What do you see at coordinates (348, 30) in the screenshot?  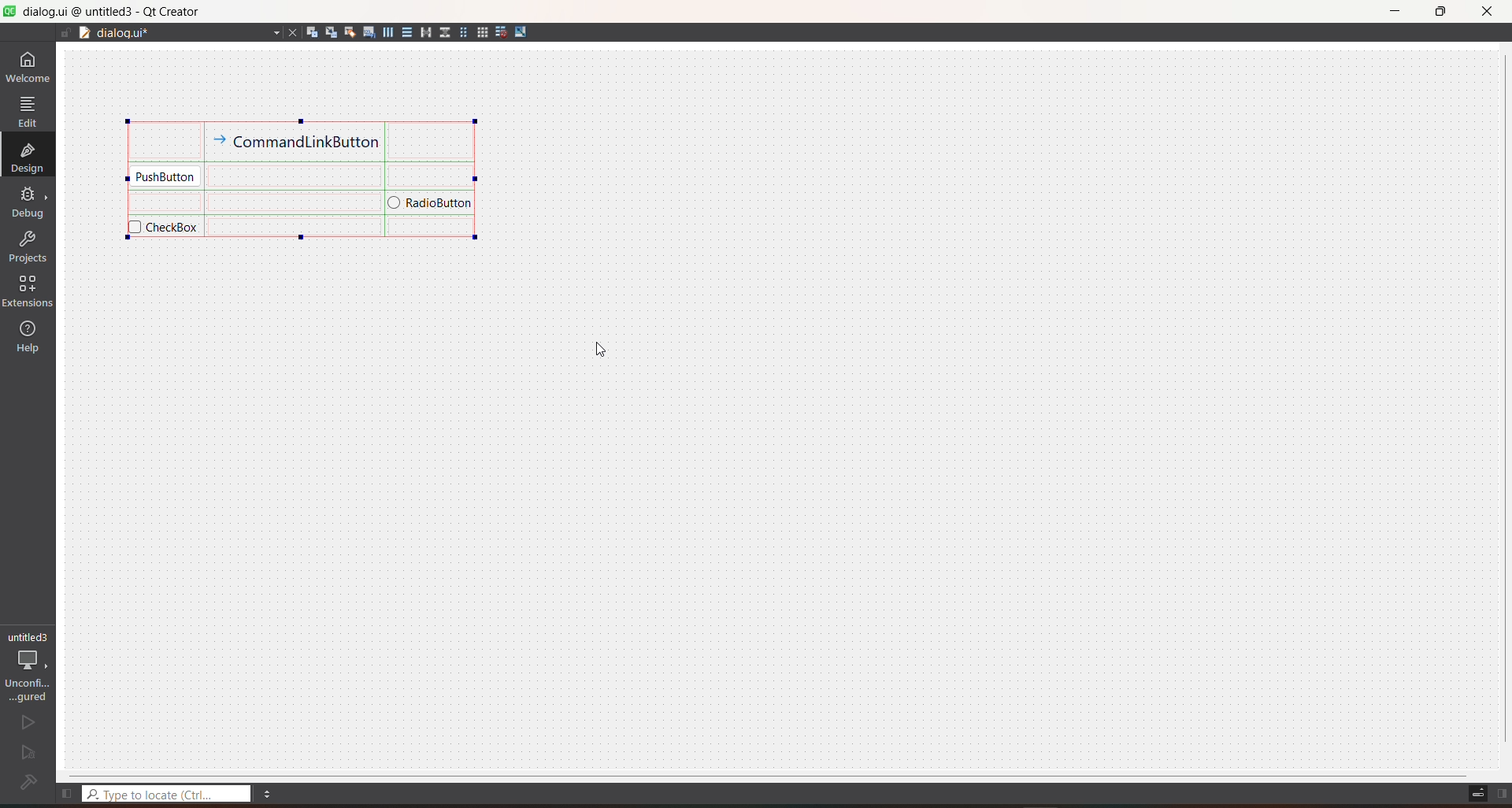 I see `edit buddies` at bounding box center [348, 30].